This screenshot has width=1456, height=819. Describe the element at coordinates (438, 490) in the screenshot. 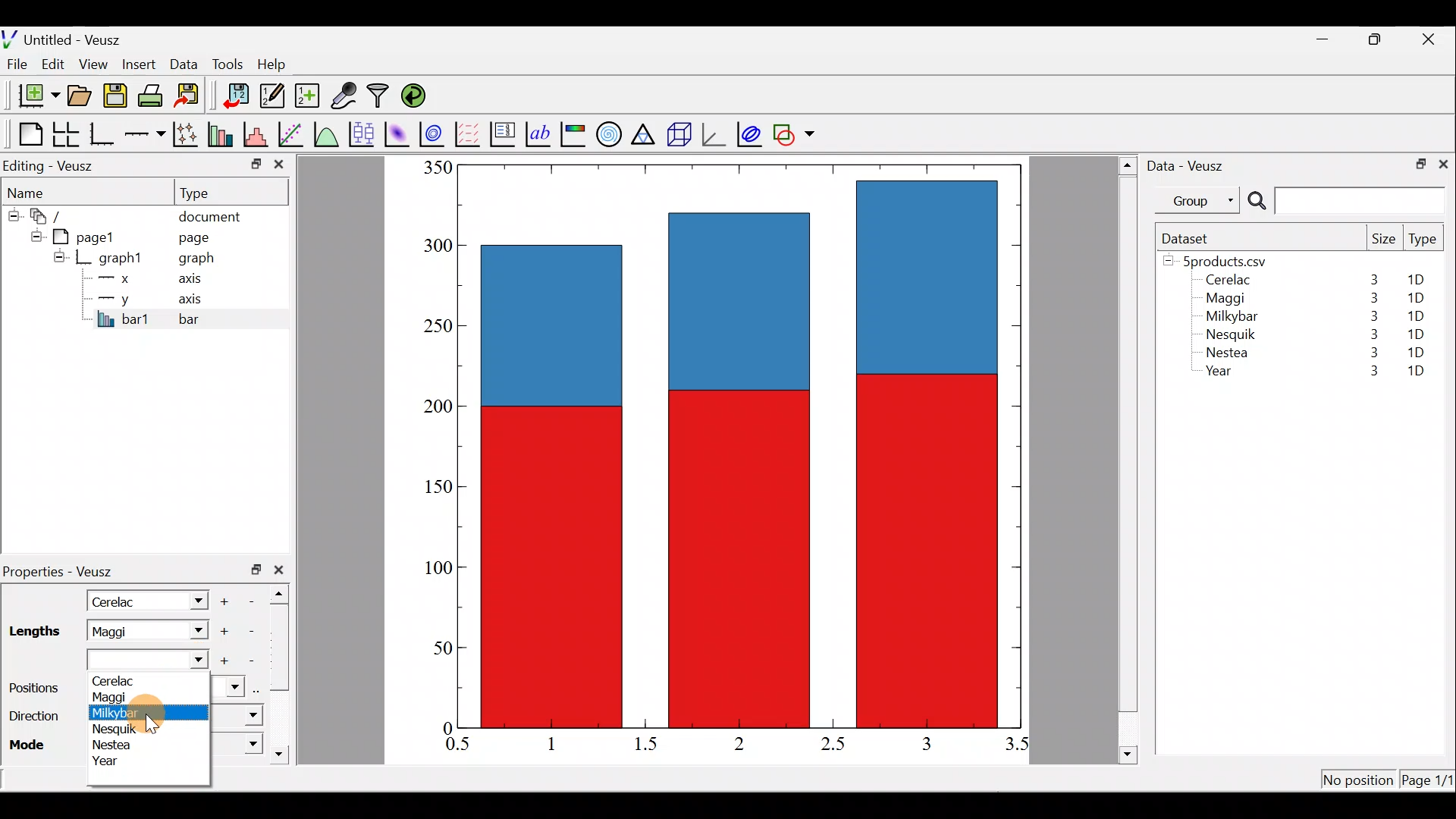

I see `150` at that location.